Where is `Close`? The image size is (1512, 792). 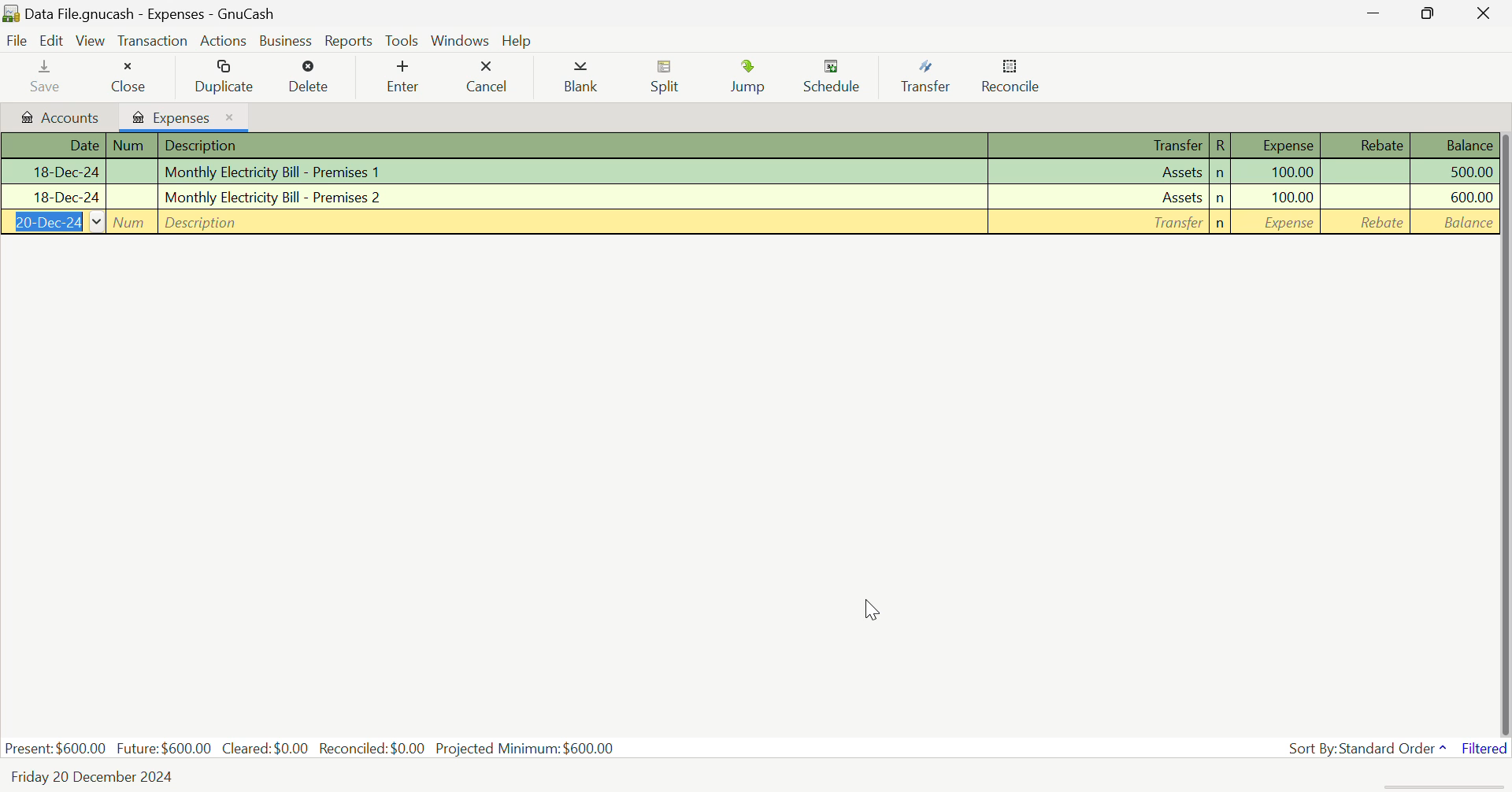
Close is located at coordinates (1484, 13).